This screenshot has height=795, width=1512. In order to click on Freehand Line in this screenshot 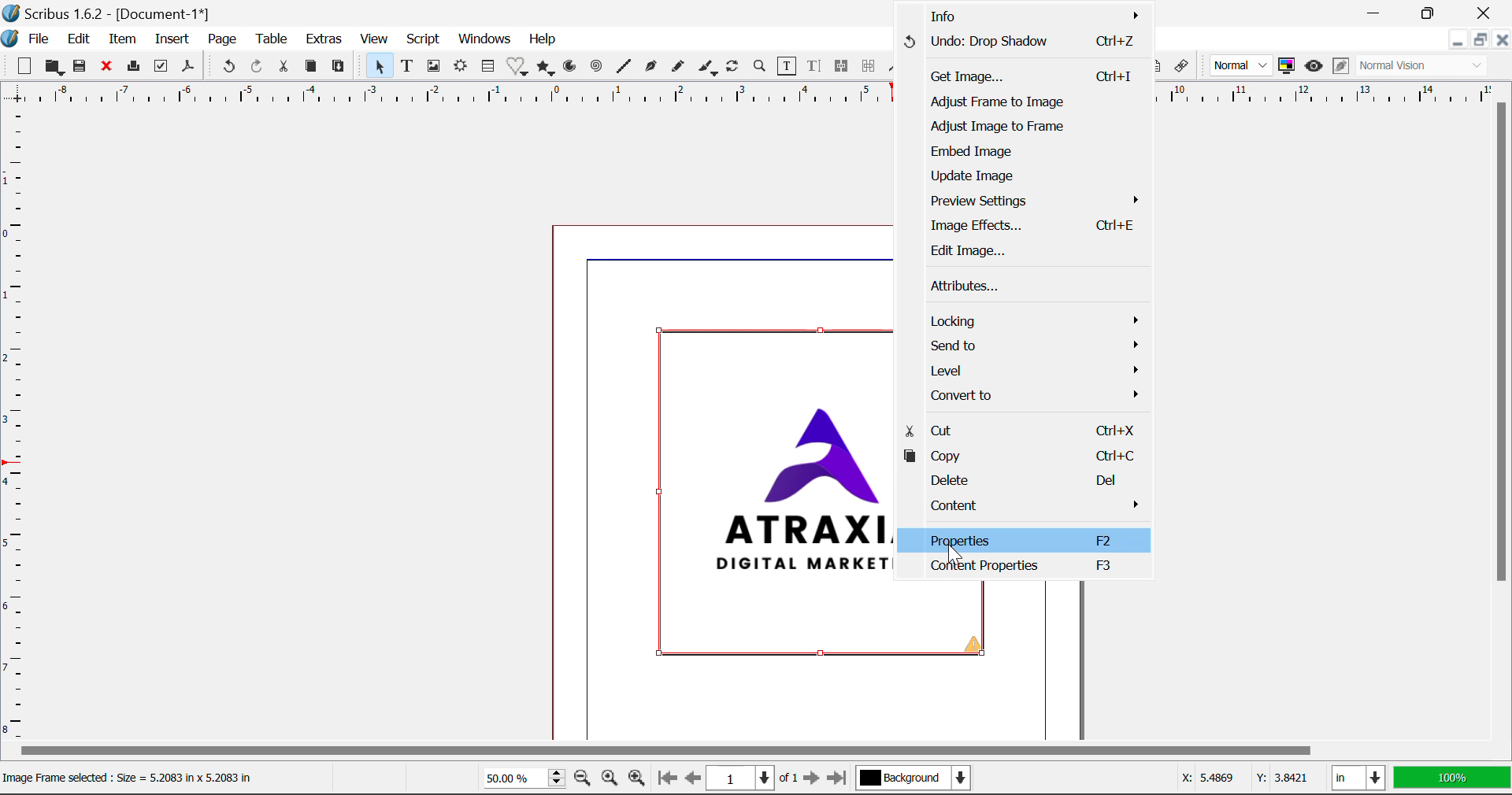, I will do `click(680, 70)`.